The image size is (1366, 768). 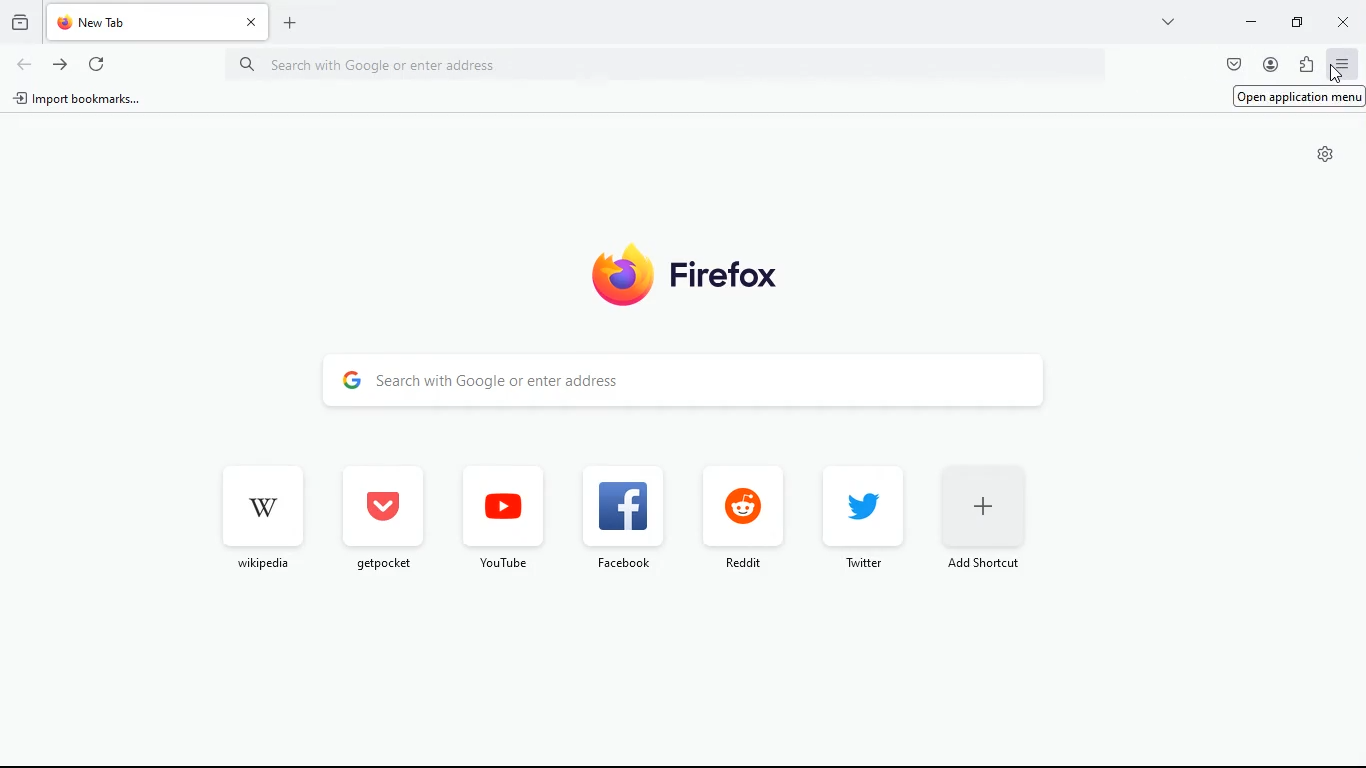 I want to click on import bookmarks, so click(x=84, y=100).